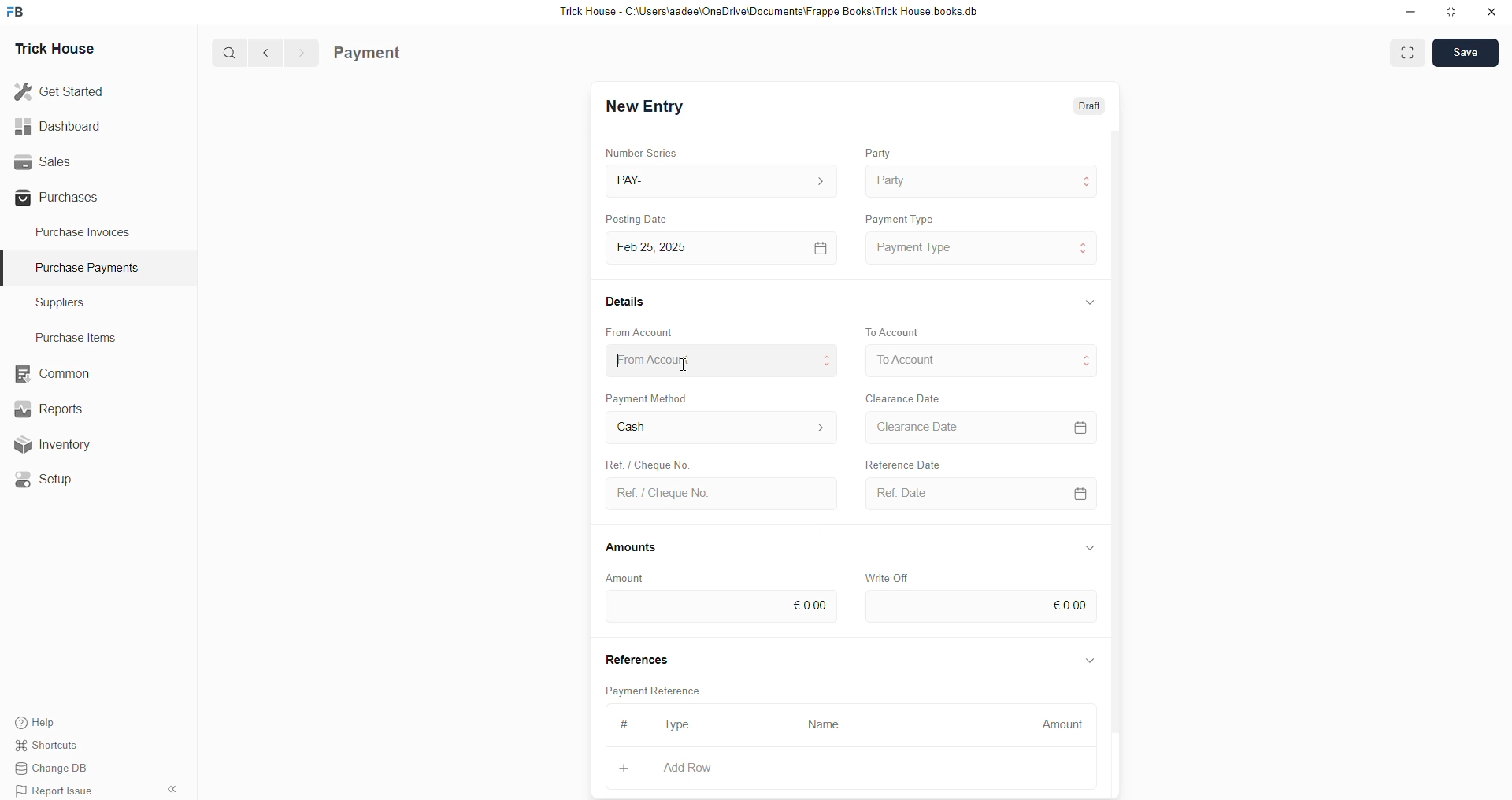 Image resolution: width=1512 pixels, height=800 pixels. I want to click on Amount, so click(1062, 720).